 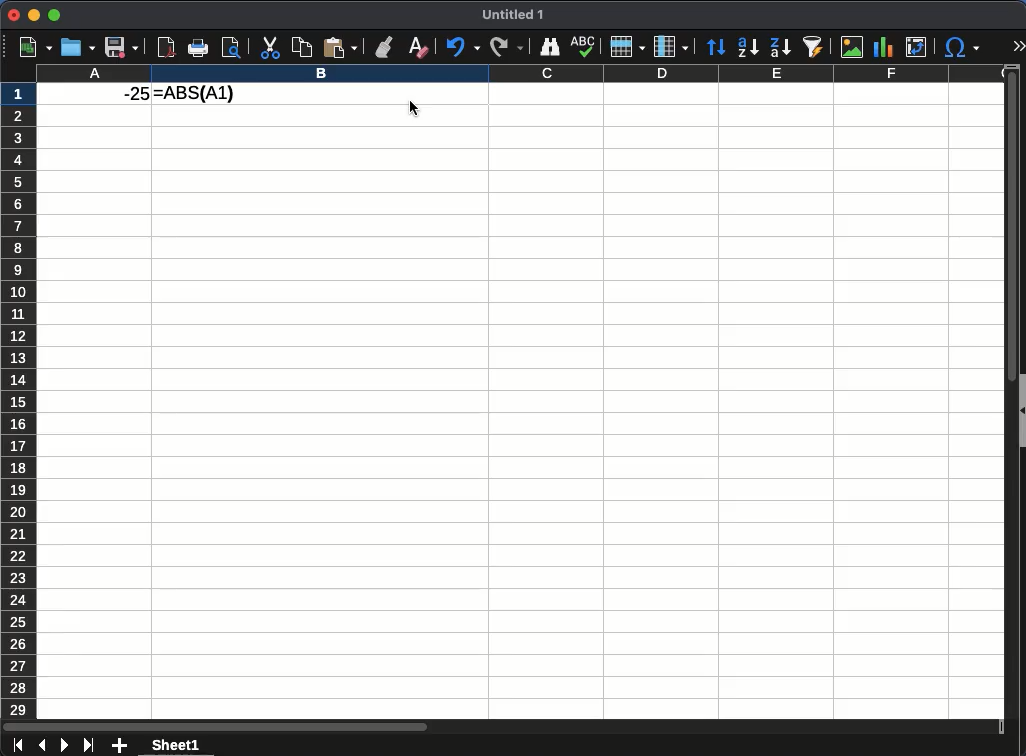 What do you see at coordinates (1020, 409) in the screenshot?
I see `collapse` at bounding box center [1020, 409].